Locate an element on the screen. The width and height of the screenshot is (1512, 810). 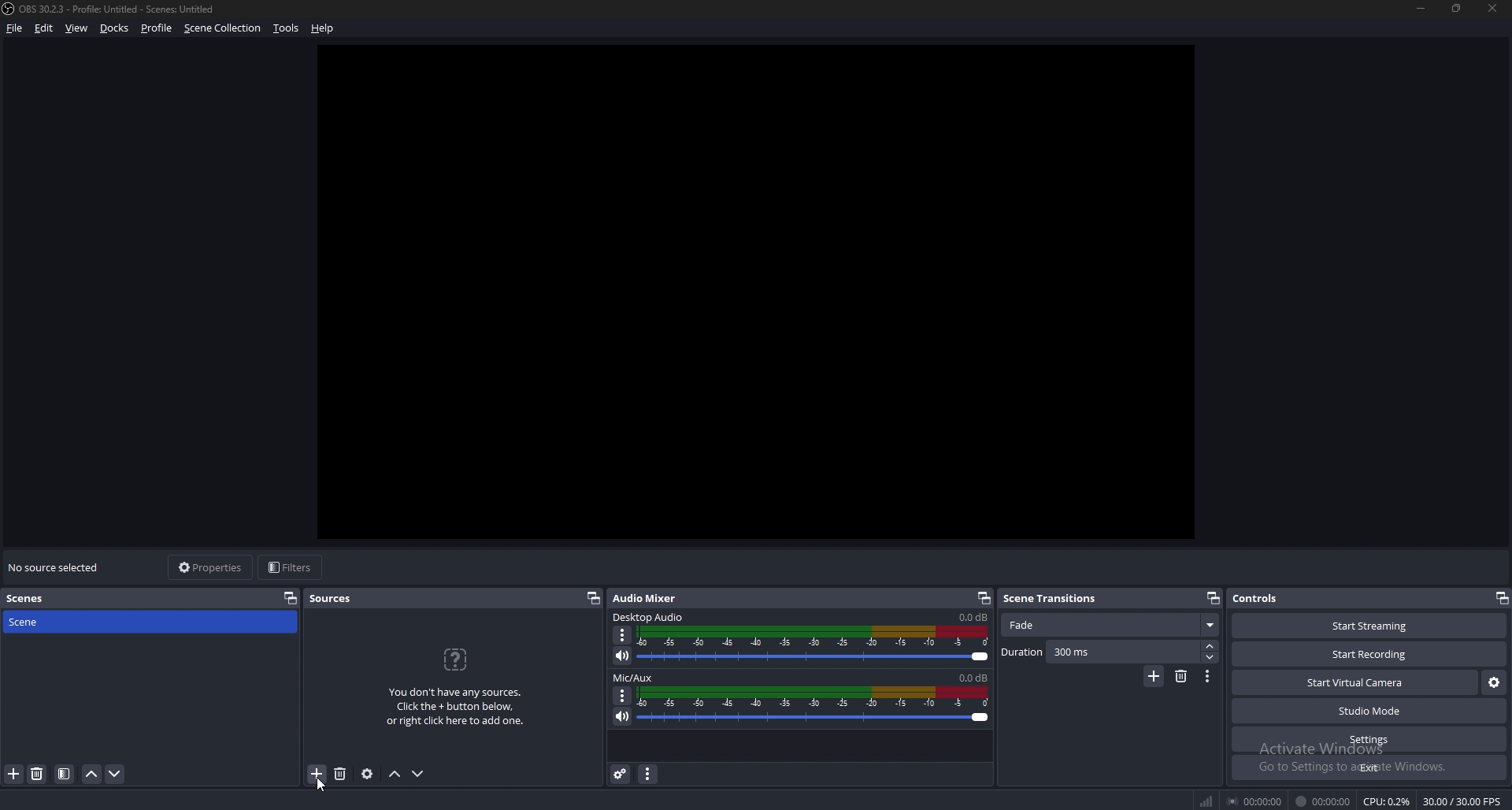
File is located at coordinates (17, 28).